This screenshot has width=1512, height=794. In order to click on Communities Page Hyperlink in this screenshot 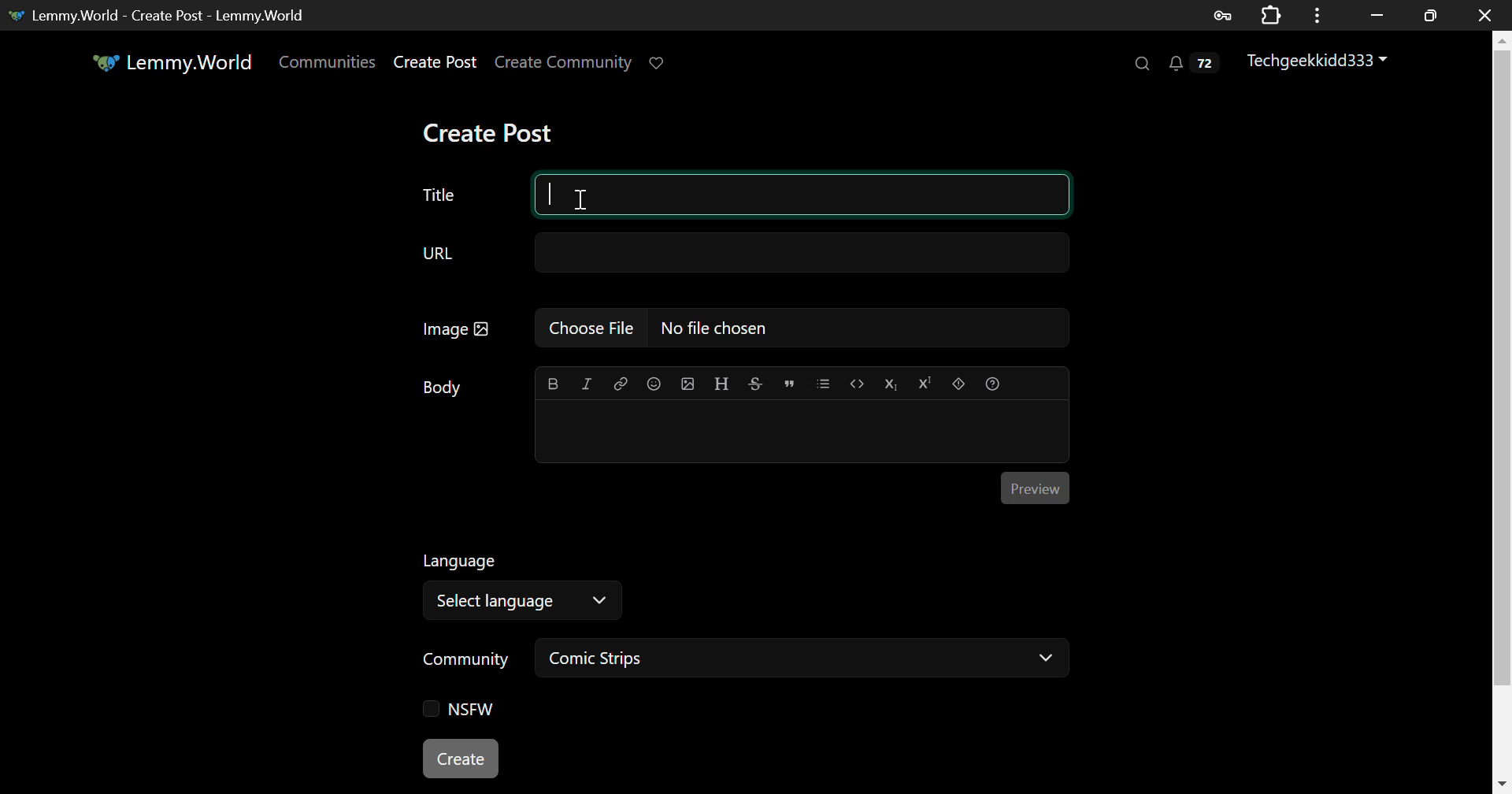, I will do `click(327, 61)`.